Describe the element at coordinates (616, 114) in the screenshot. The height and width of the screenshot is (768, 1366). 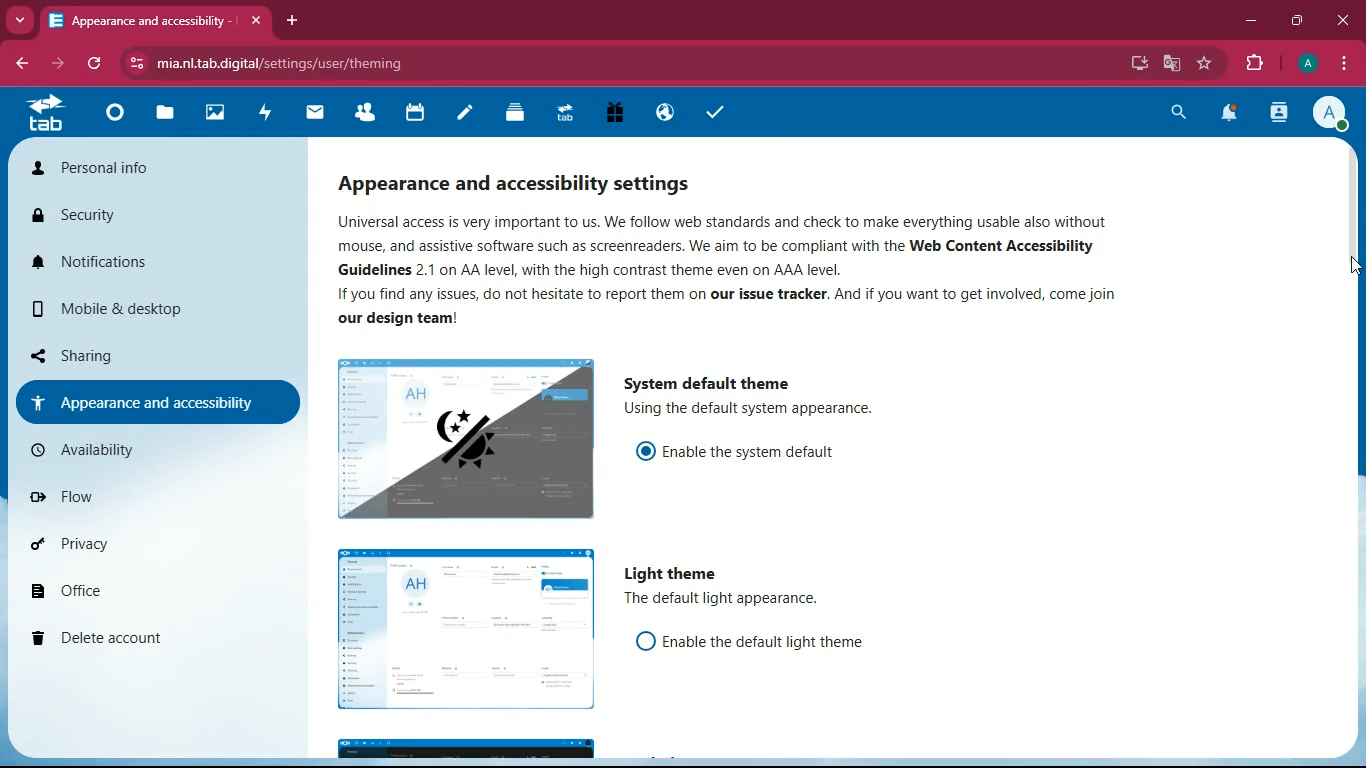
I see `gift` at that location.